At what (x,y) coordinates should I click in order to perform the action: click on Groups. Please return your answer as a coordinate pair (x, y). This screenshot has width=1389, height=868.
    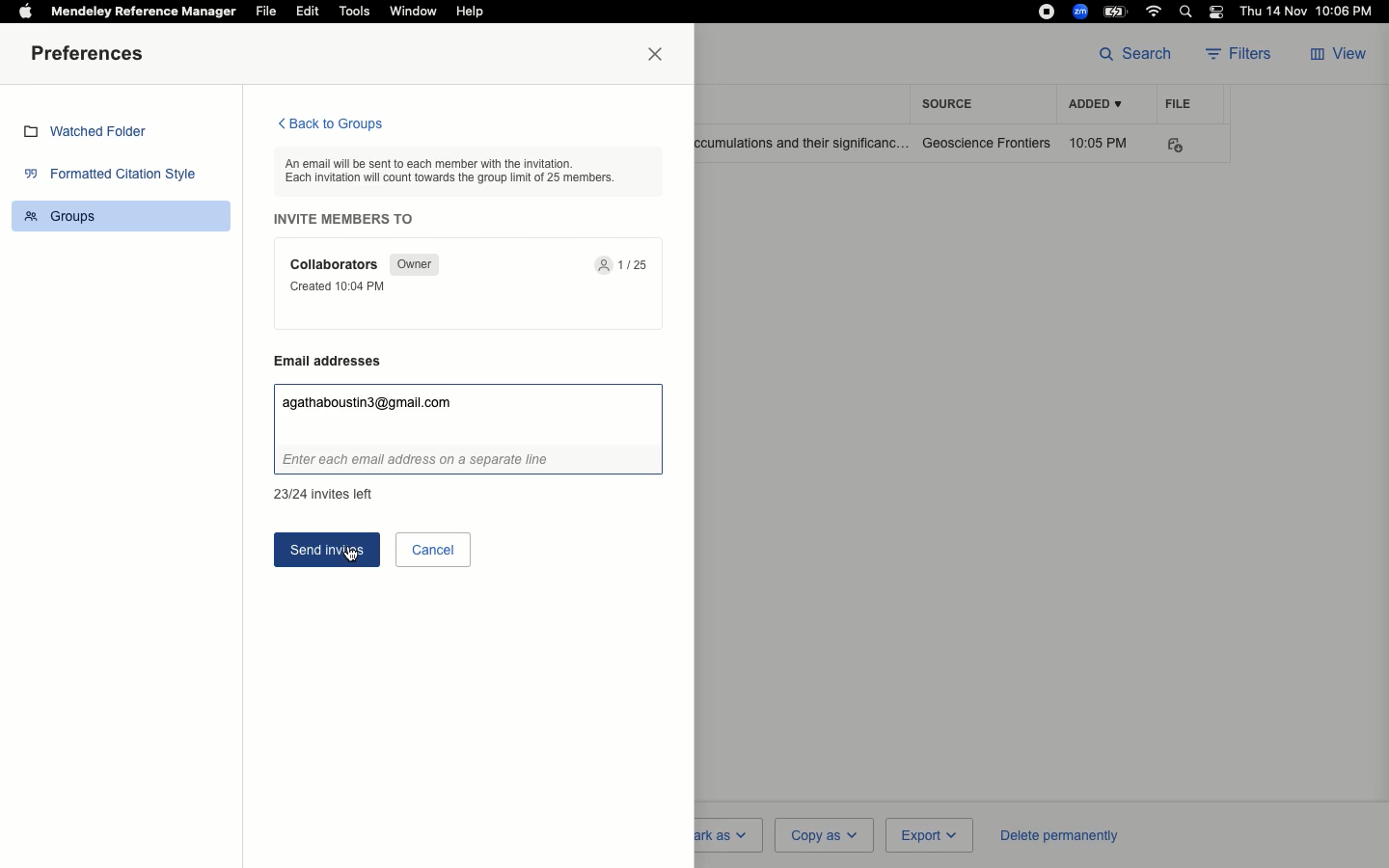
    Looking at the image, I should click on (124, 214).